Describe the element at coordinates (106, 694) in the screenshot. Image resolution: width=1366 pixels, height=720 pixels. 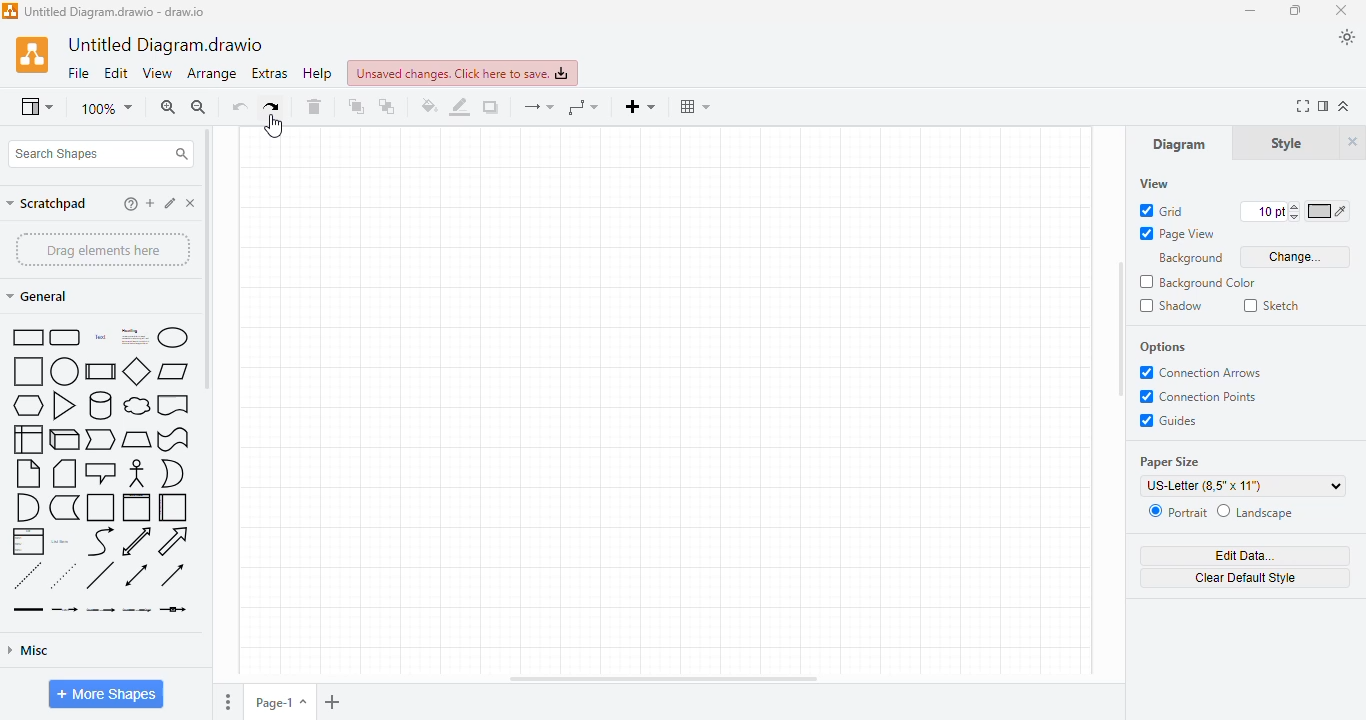
I see `more shapes` at that location.